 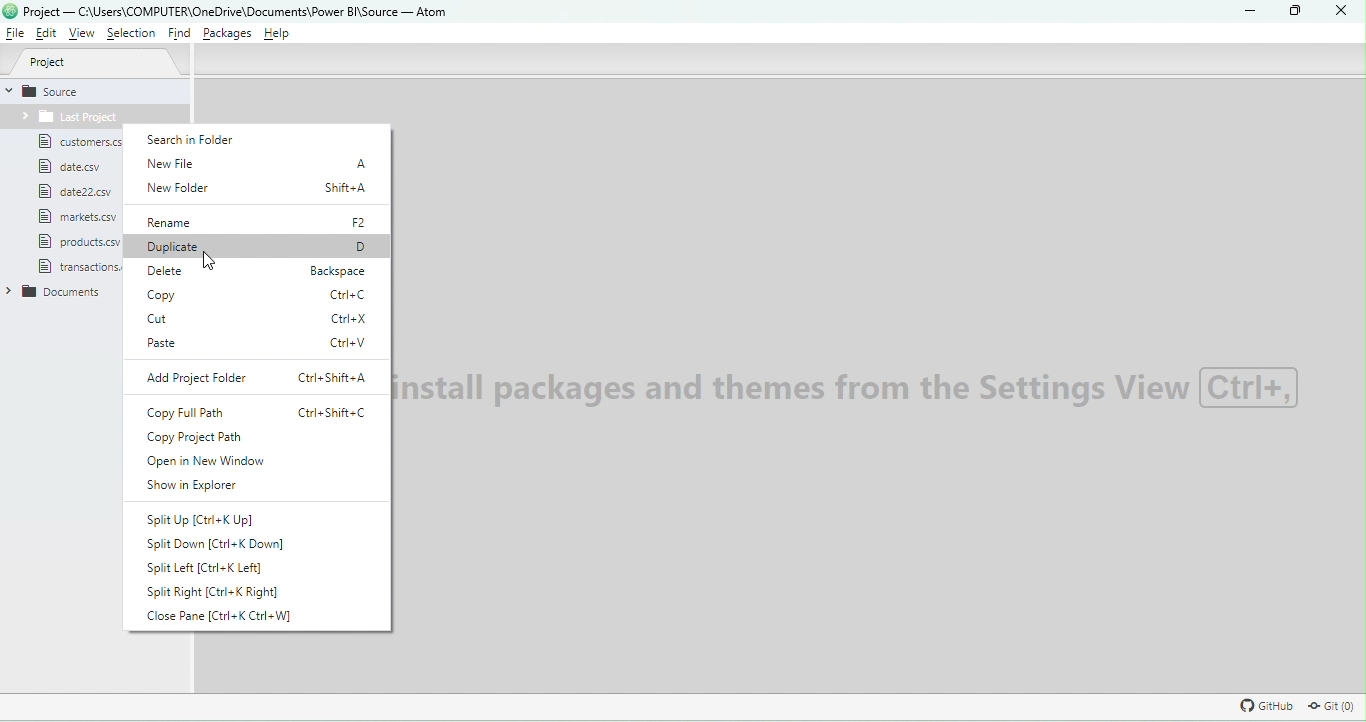 I want to click on File, so click(x=76, y=267).